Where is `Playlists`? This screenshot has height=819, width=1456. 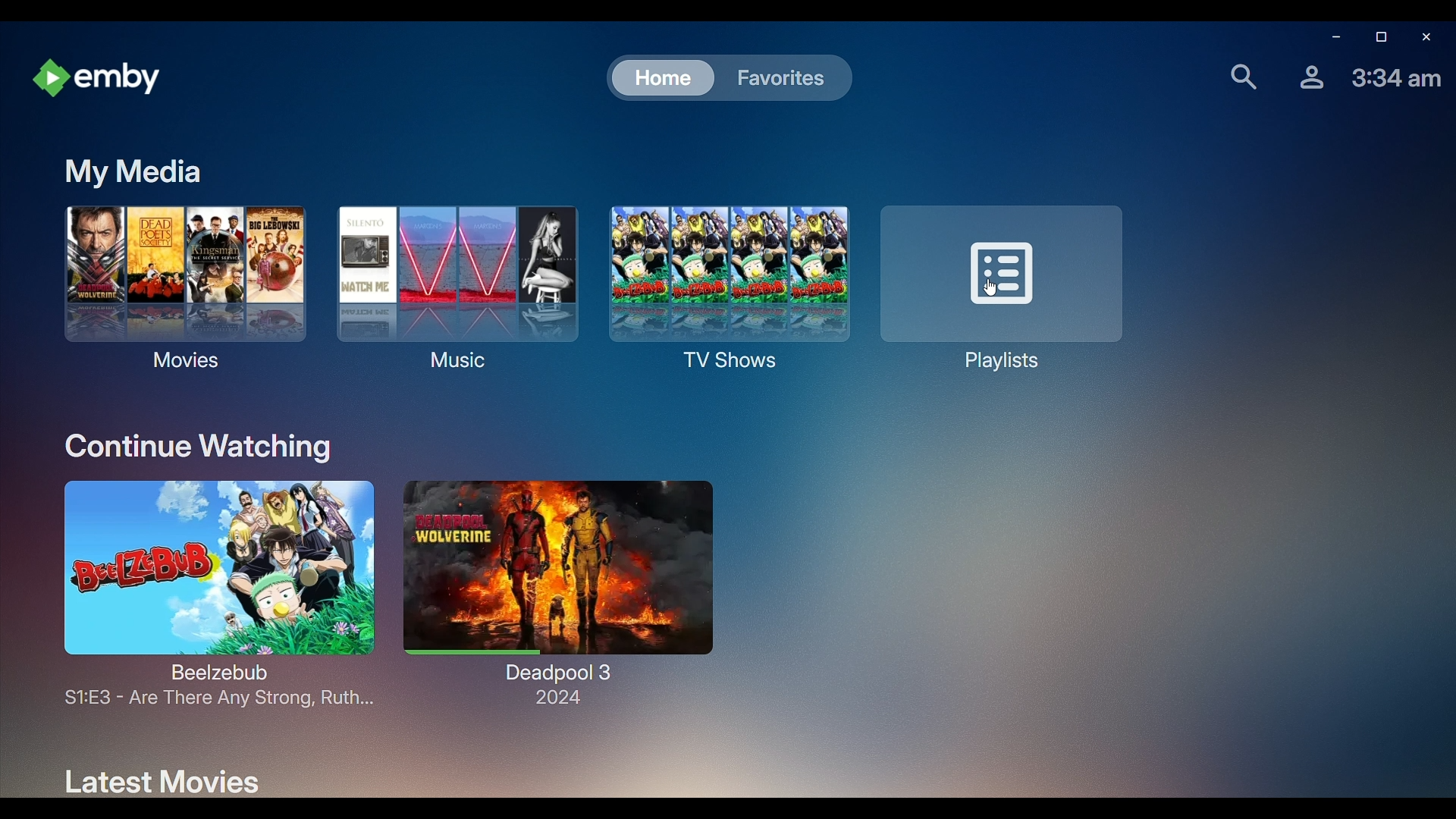 Playlists is located at coordinates (1008, 287).